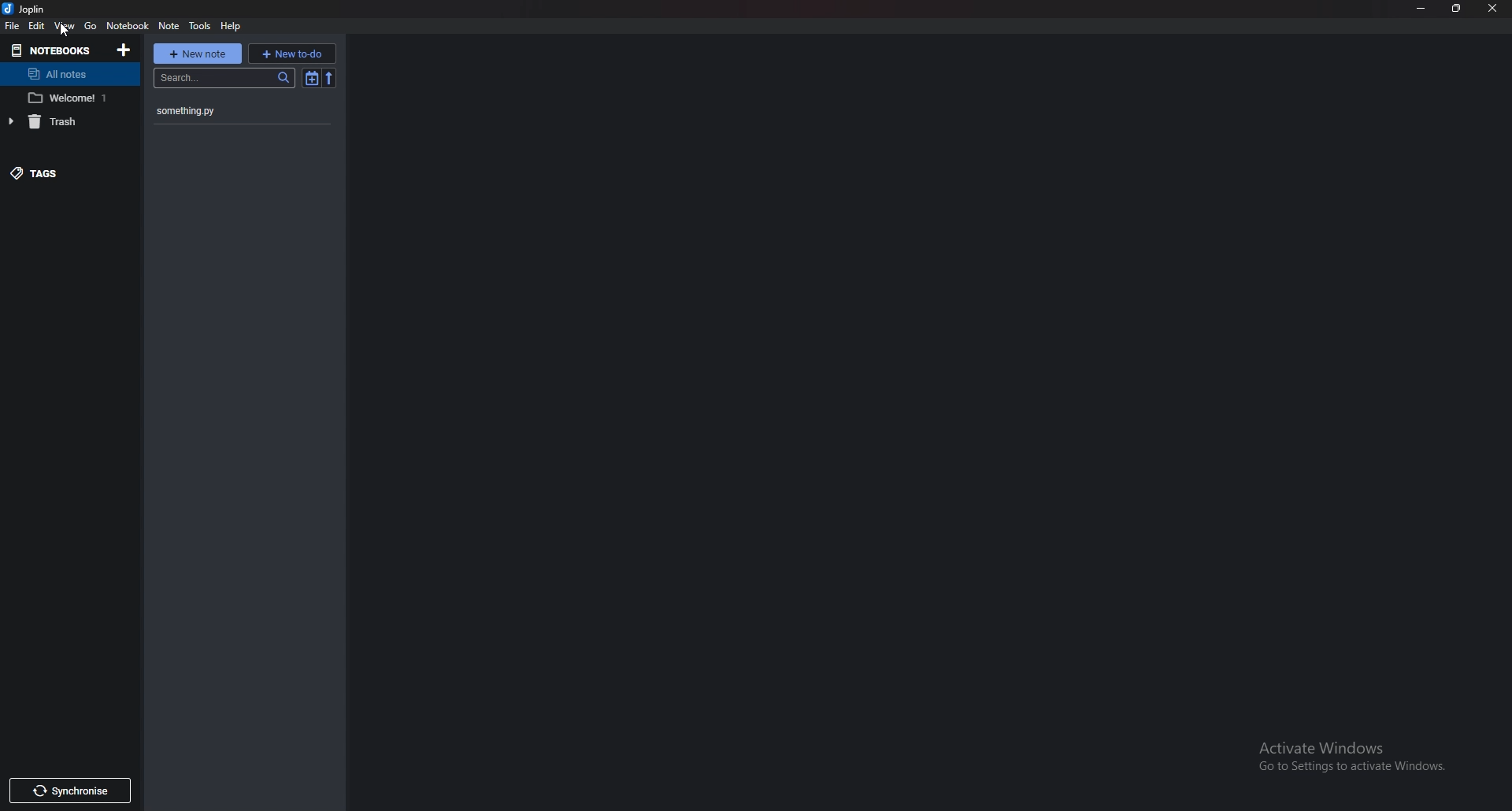 The image size is (1512, 811). Describe the element at coordinates (233, 26) in the screenshot. I see `help` at that location.